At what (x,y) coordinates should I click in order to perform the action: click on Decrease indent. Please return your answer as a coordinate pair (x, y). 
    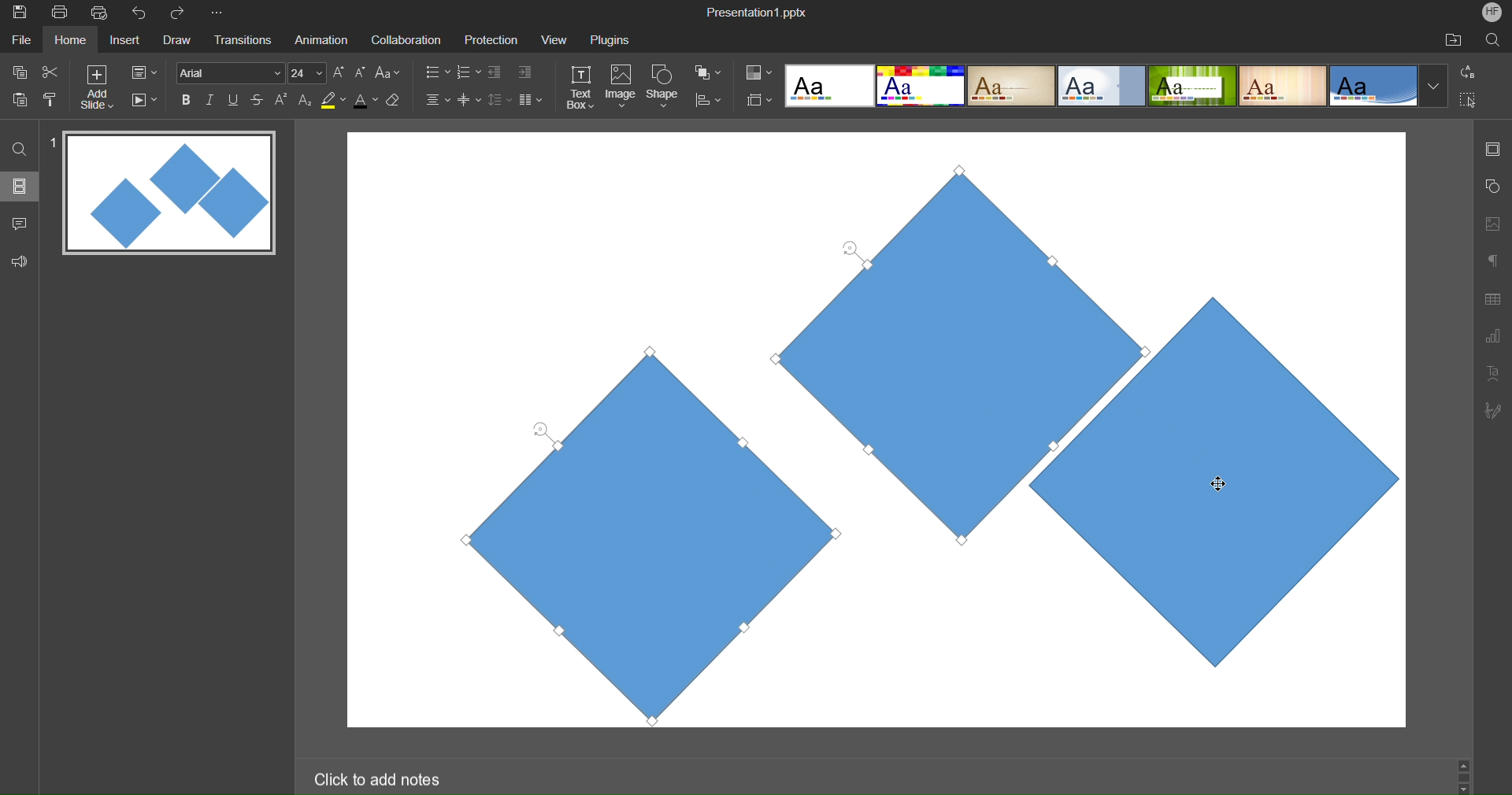
    Looking at the image, I should click on (498, 74).